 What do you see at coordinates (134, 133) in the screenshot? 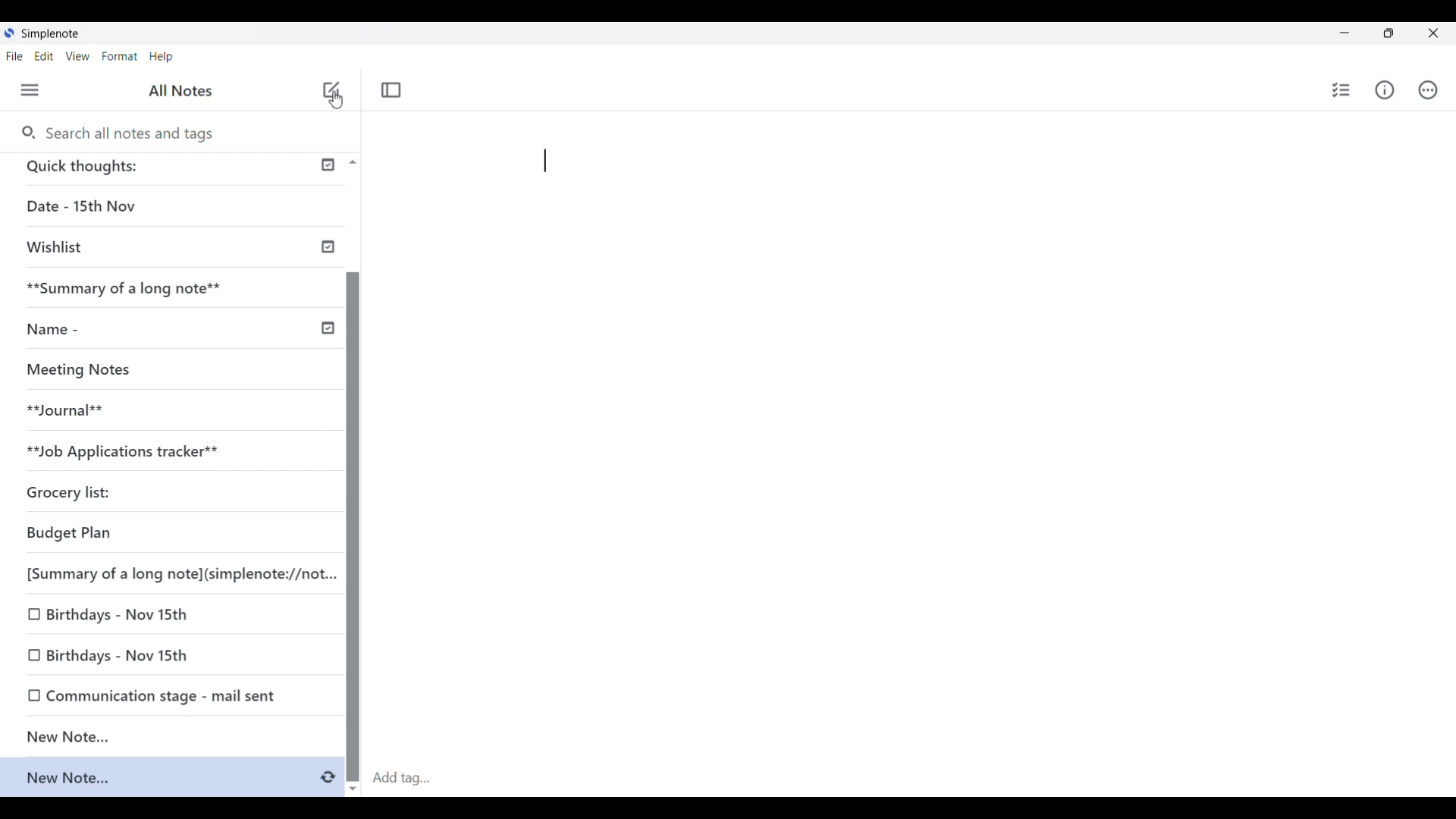
I see `Search all notes and tags` at bounding box center [134, 133].